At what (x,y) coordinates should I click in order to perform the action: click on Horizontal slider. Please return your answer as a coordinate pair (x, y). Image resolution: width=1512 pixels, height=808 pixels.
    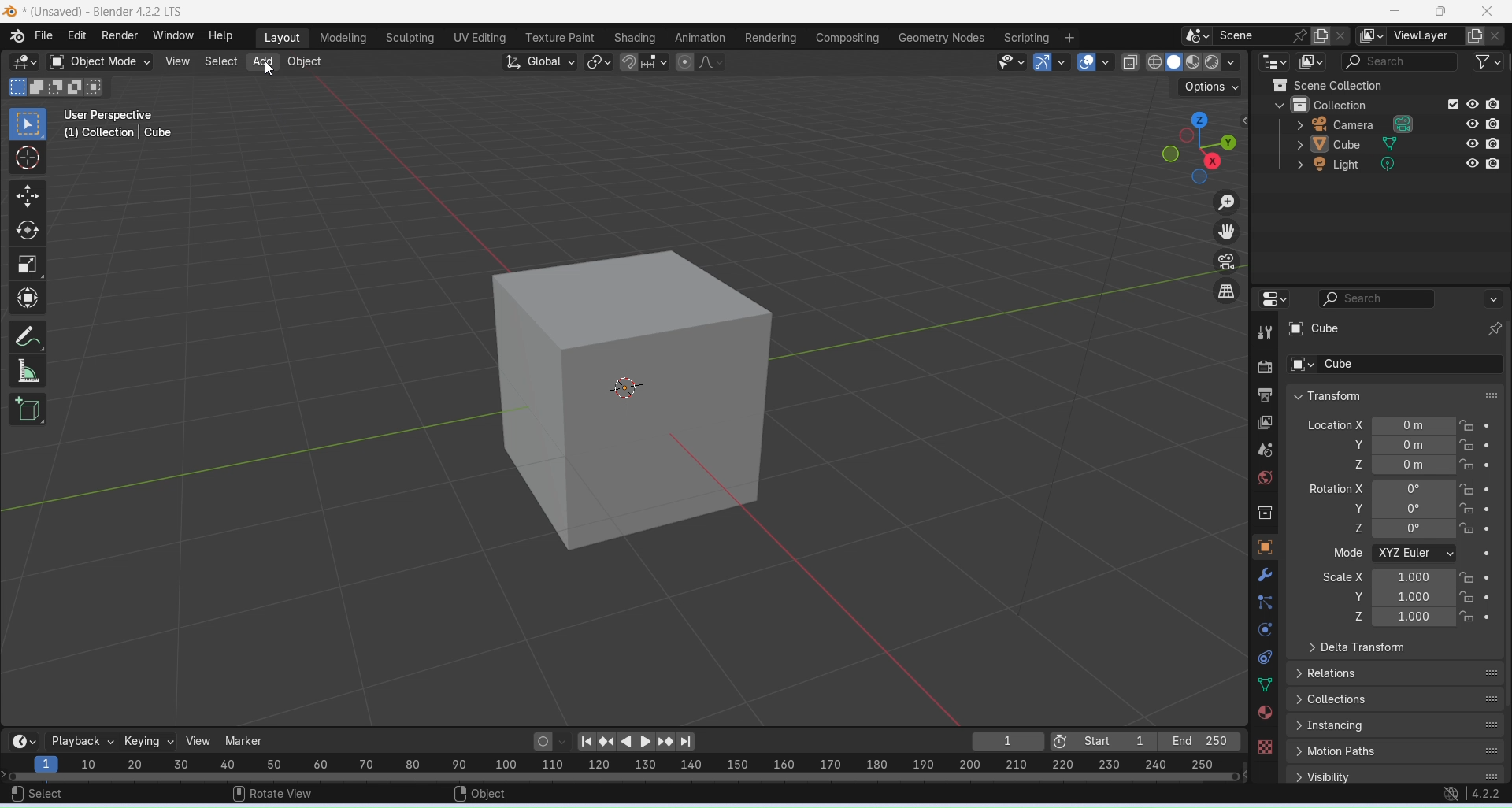
    Looking at the image, I should click on (626, 776).